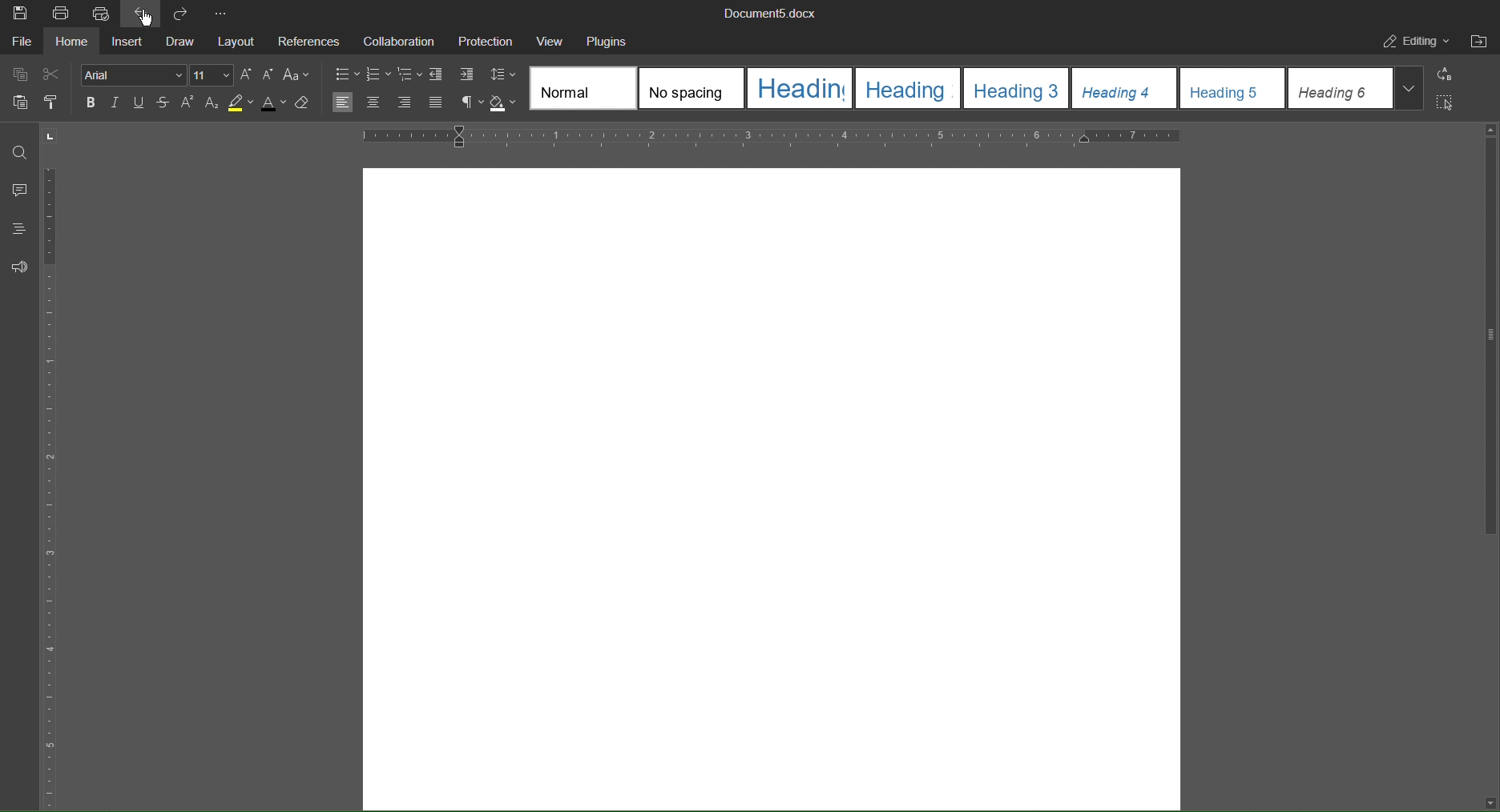  I want to click on Highlight, so click(242, 103).